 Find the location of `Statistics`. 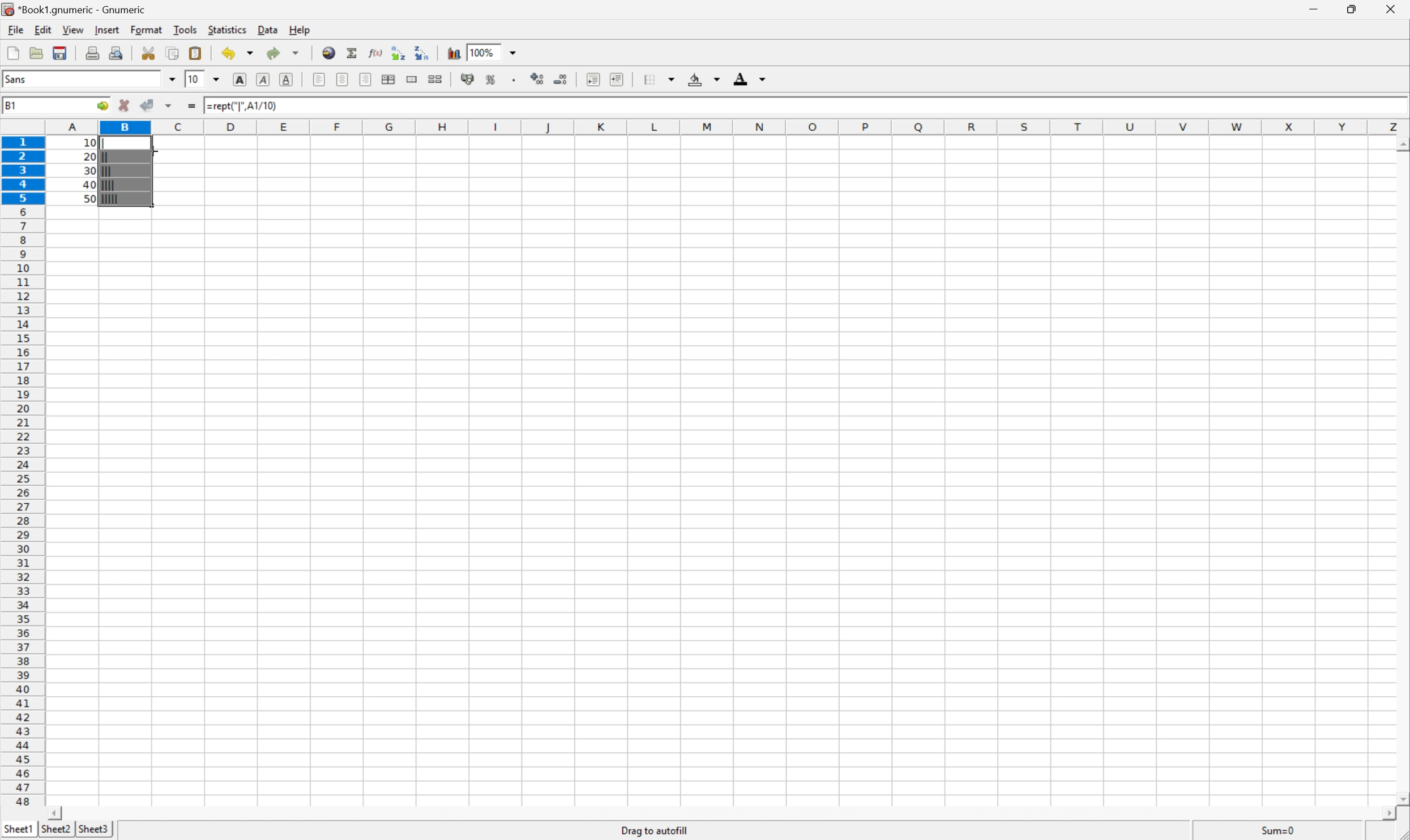

Statistics is located at coordinates (227, 30).